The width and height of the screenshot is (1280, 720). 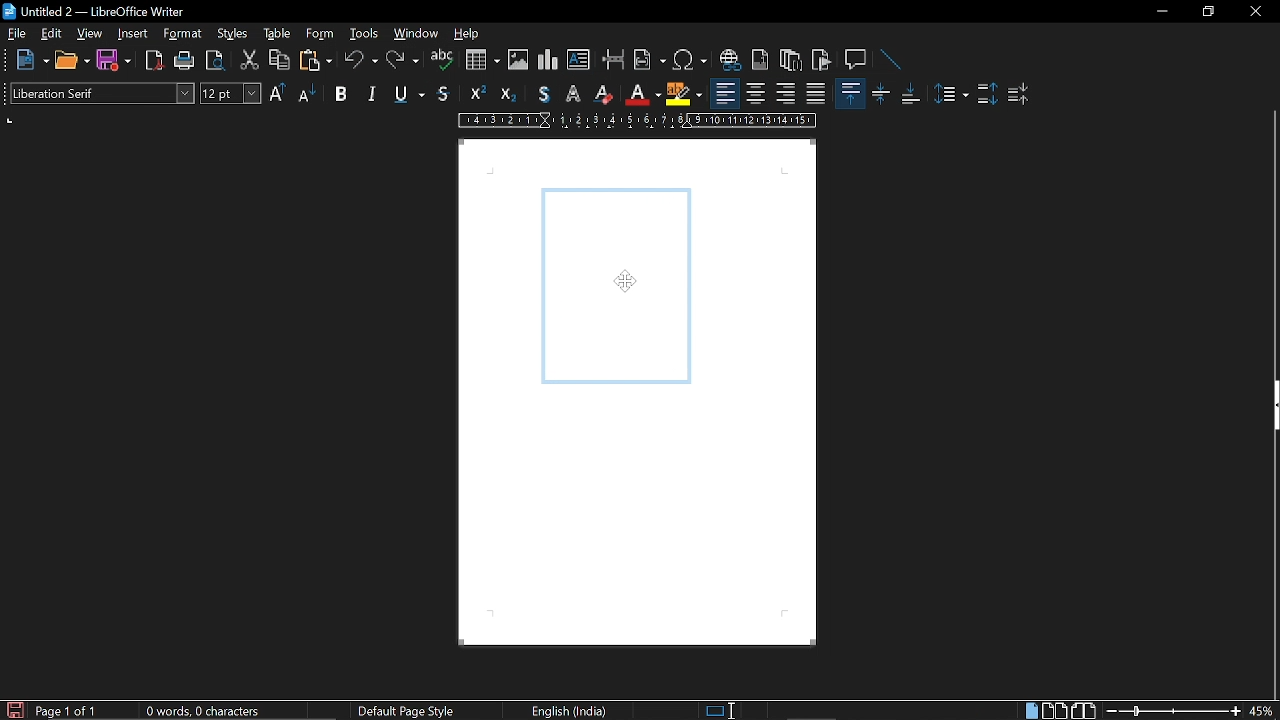 What do you see at coordinates (816, 95) in the screenshot?
I see `justified` at bounding box center [816, 95].